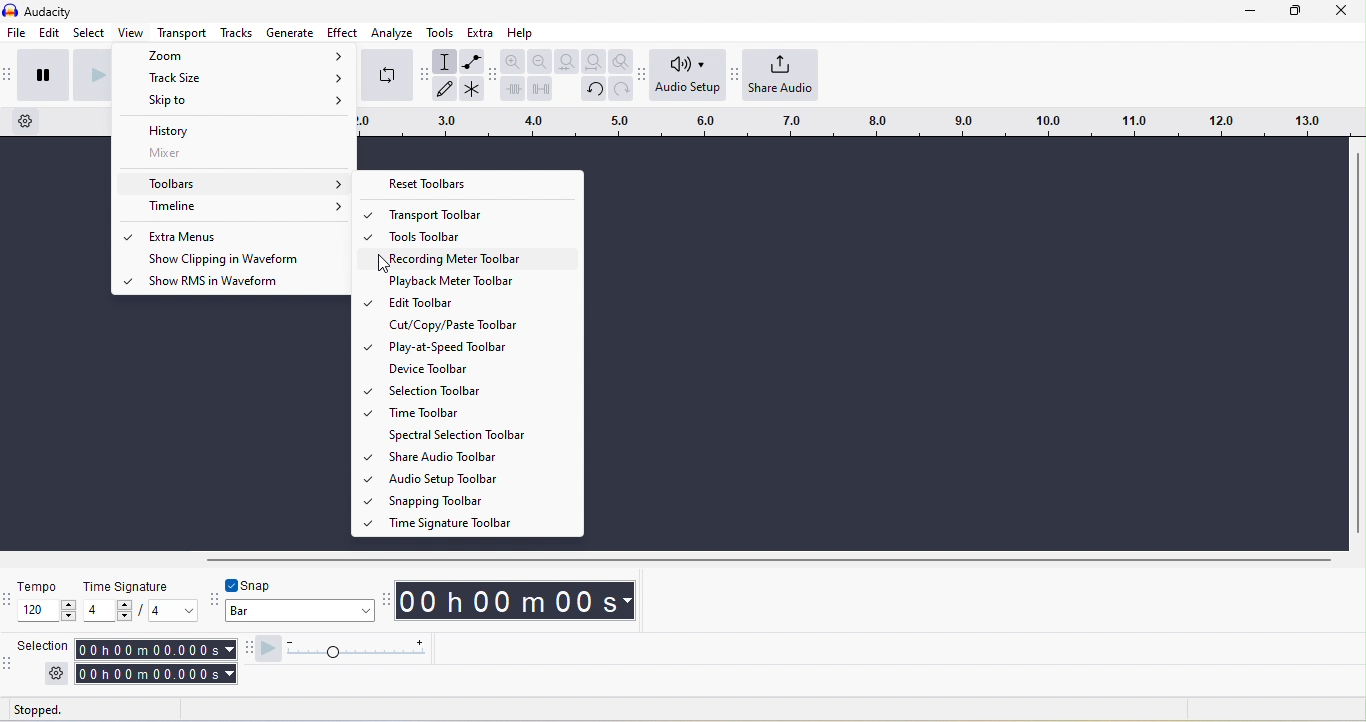  What do you see at coordinates (234, 128) in the screenshot?
I see `history ` at bounding box center [234, 128].